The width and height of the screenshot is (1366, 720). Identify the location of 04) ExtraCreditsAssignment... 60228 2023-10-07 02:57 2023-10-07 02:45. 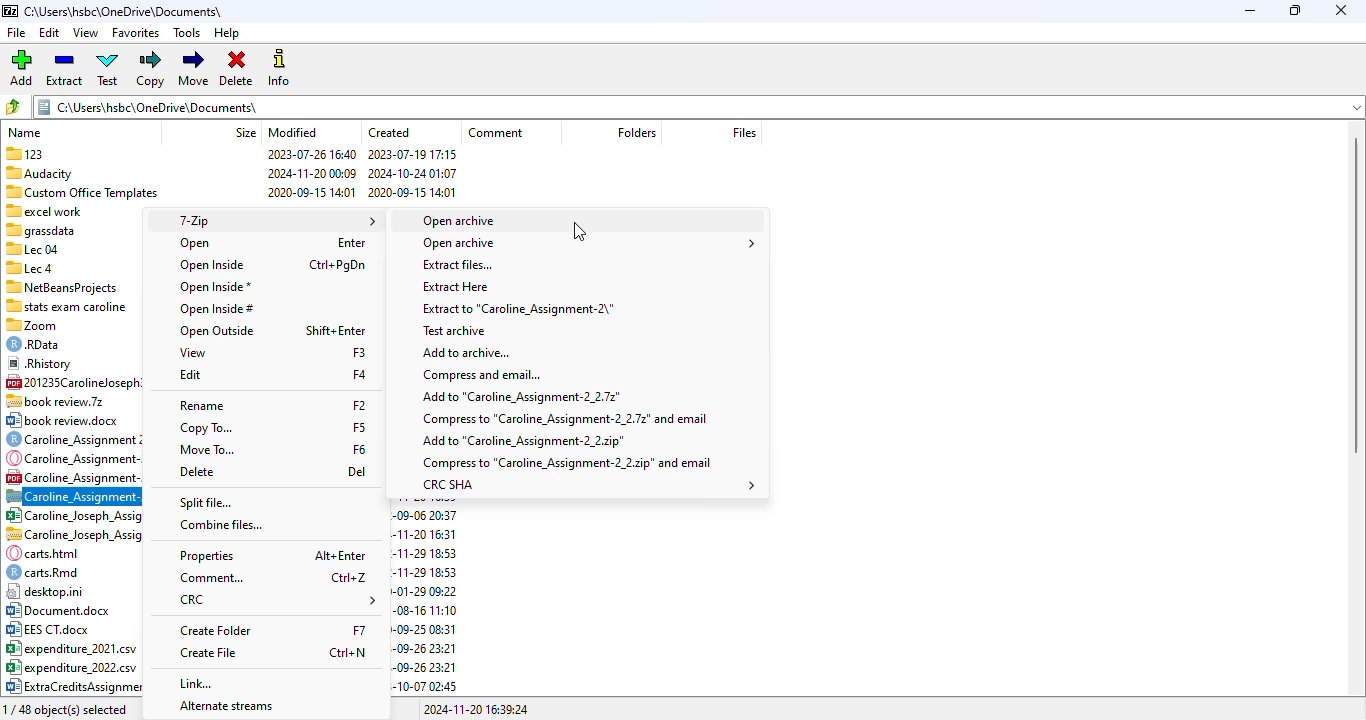
(72, 687).